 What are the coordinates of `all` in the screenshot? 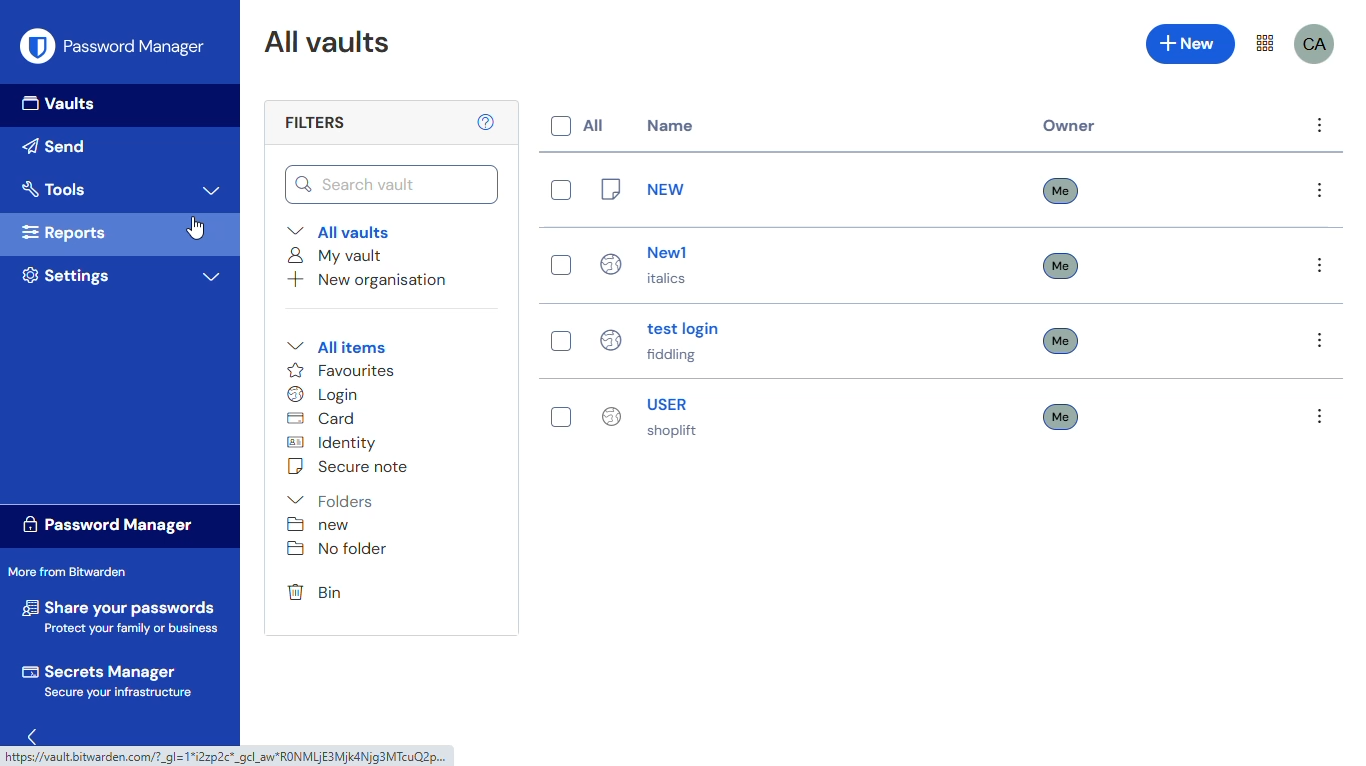 It's located at (576, 126).